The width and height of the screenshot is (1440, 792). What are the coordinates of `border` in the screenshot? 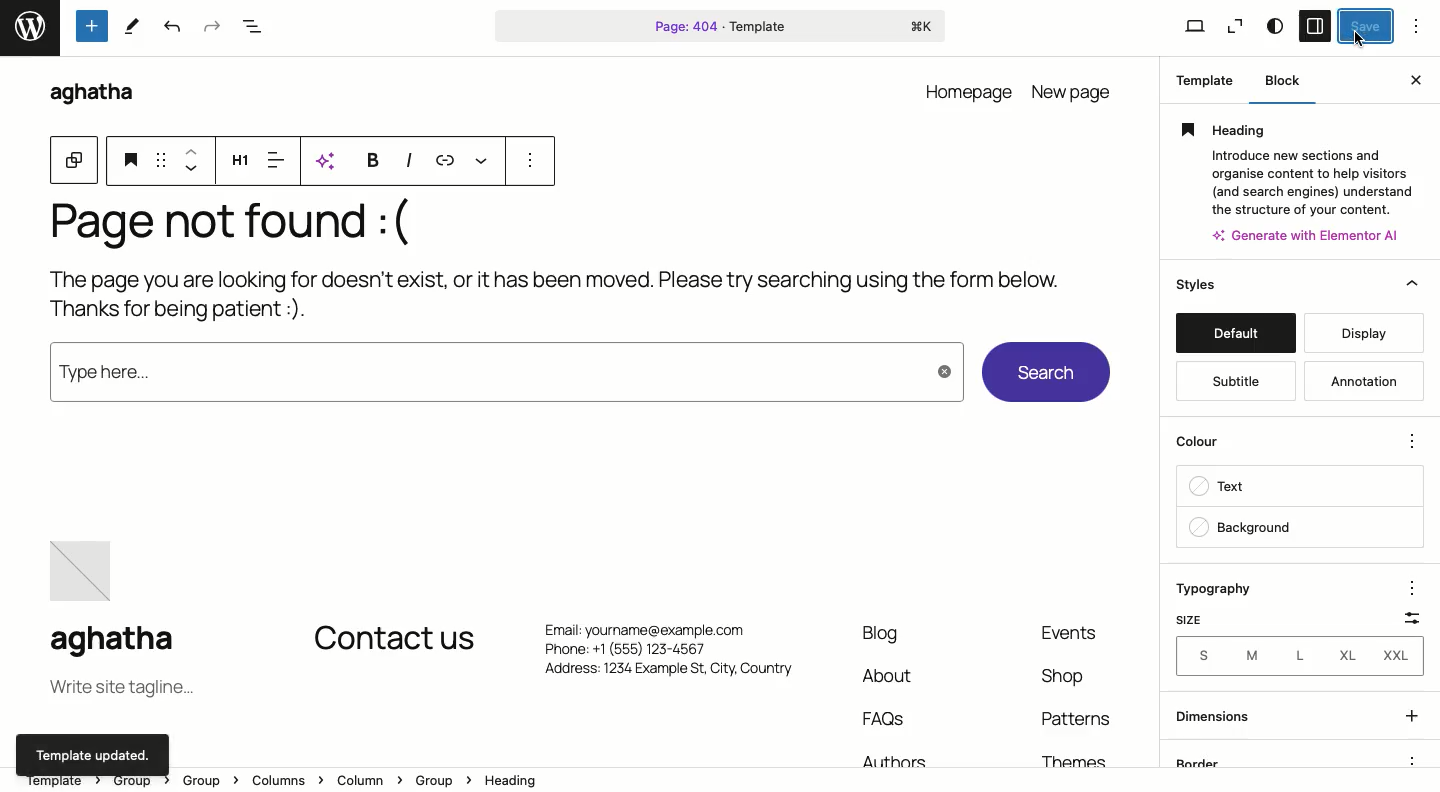 It's located at (1245, 759).